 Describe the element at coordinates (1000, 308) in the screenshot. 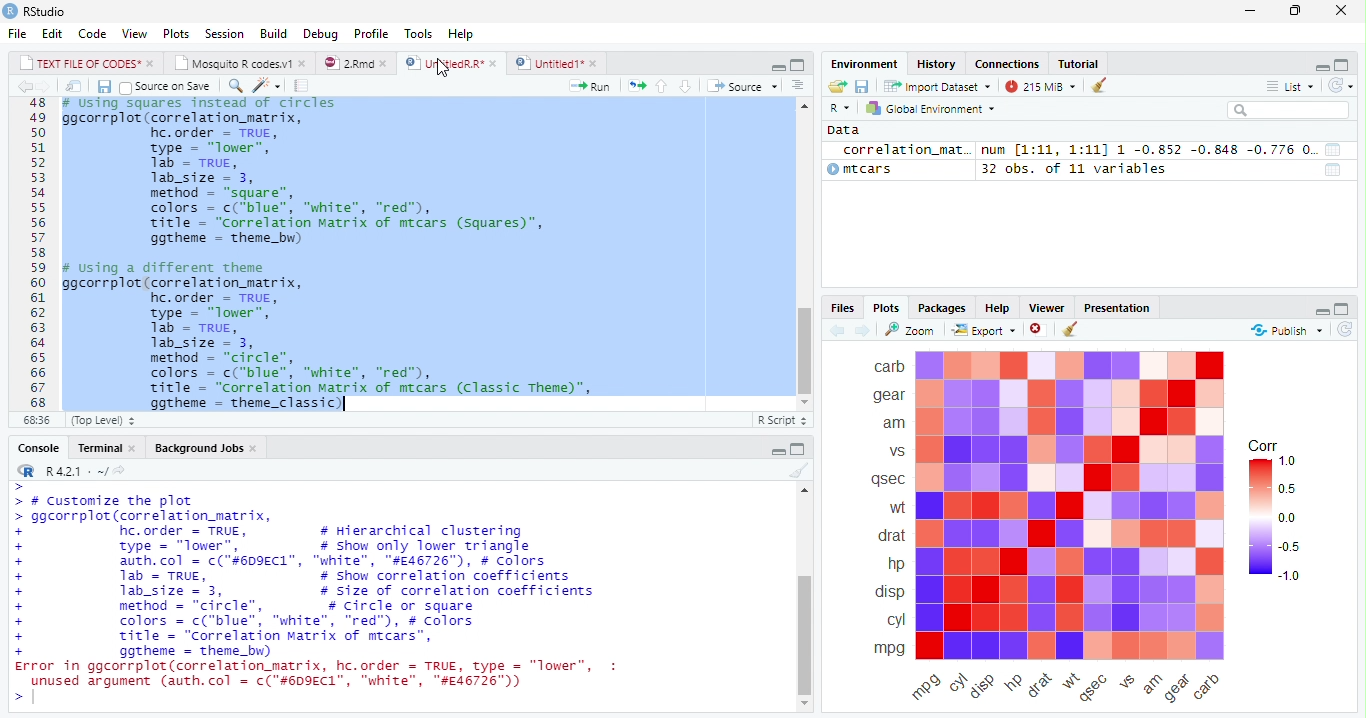

I see `Help` at that location.